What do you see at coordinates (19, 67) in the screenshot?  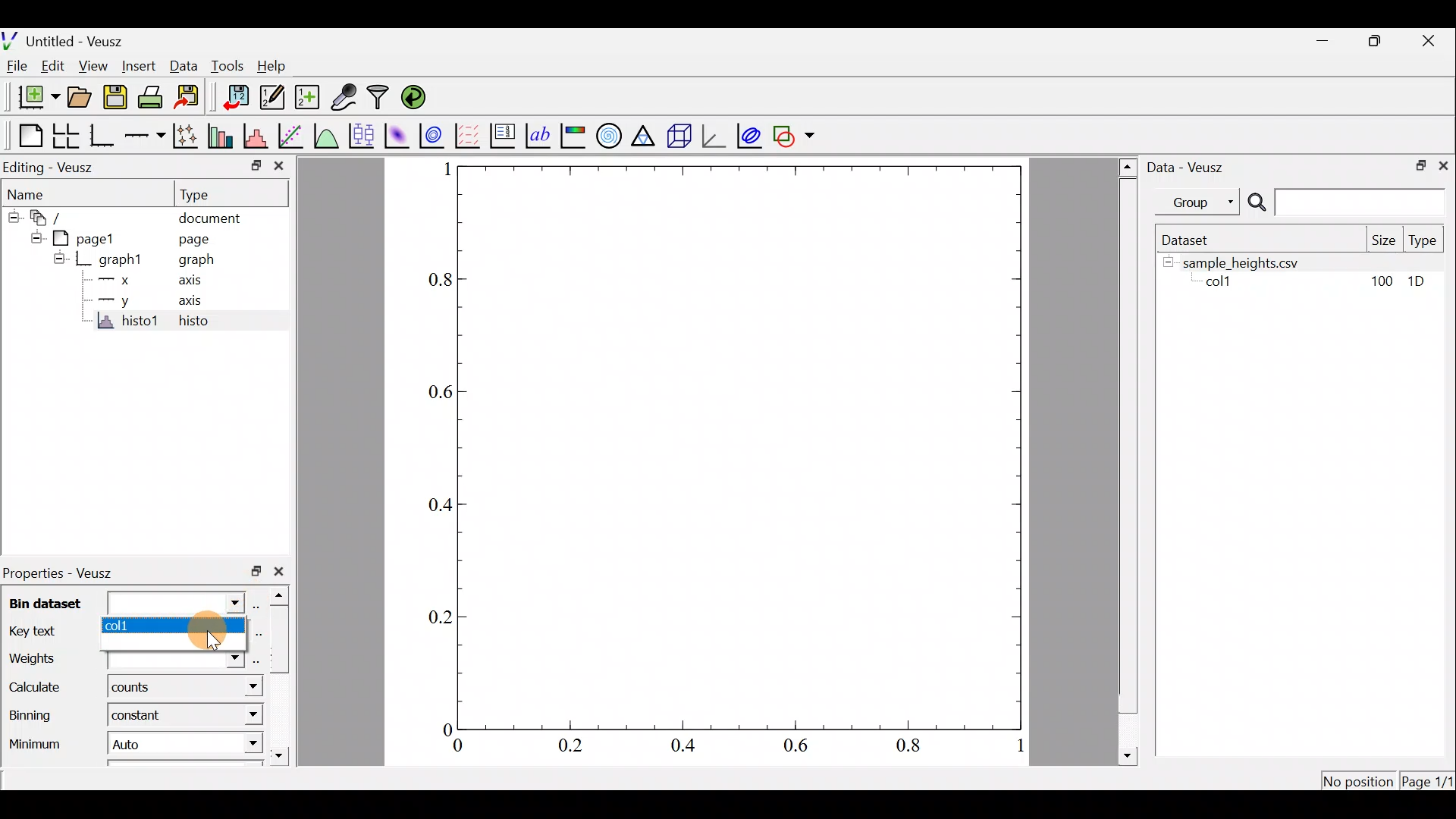 I see `File` at bounding box center [19, 67].